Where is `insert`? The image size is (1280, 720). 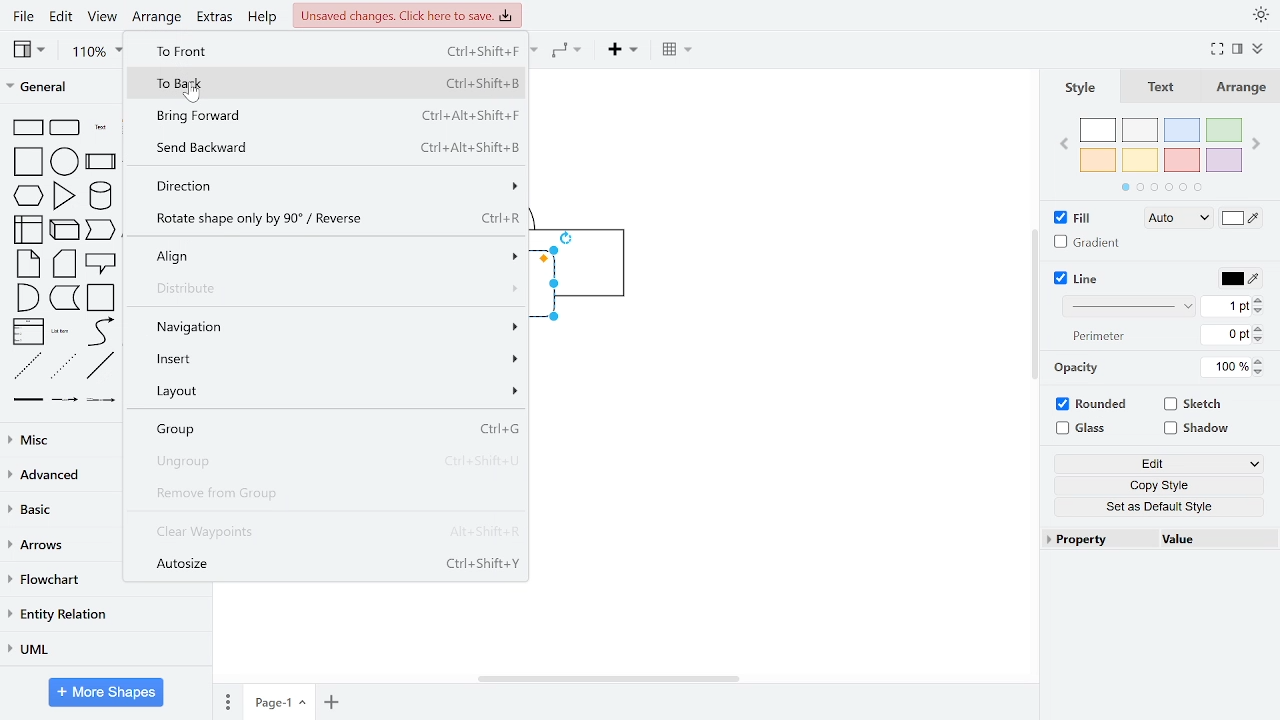
insert is located at coordinates (621, 51).